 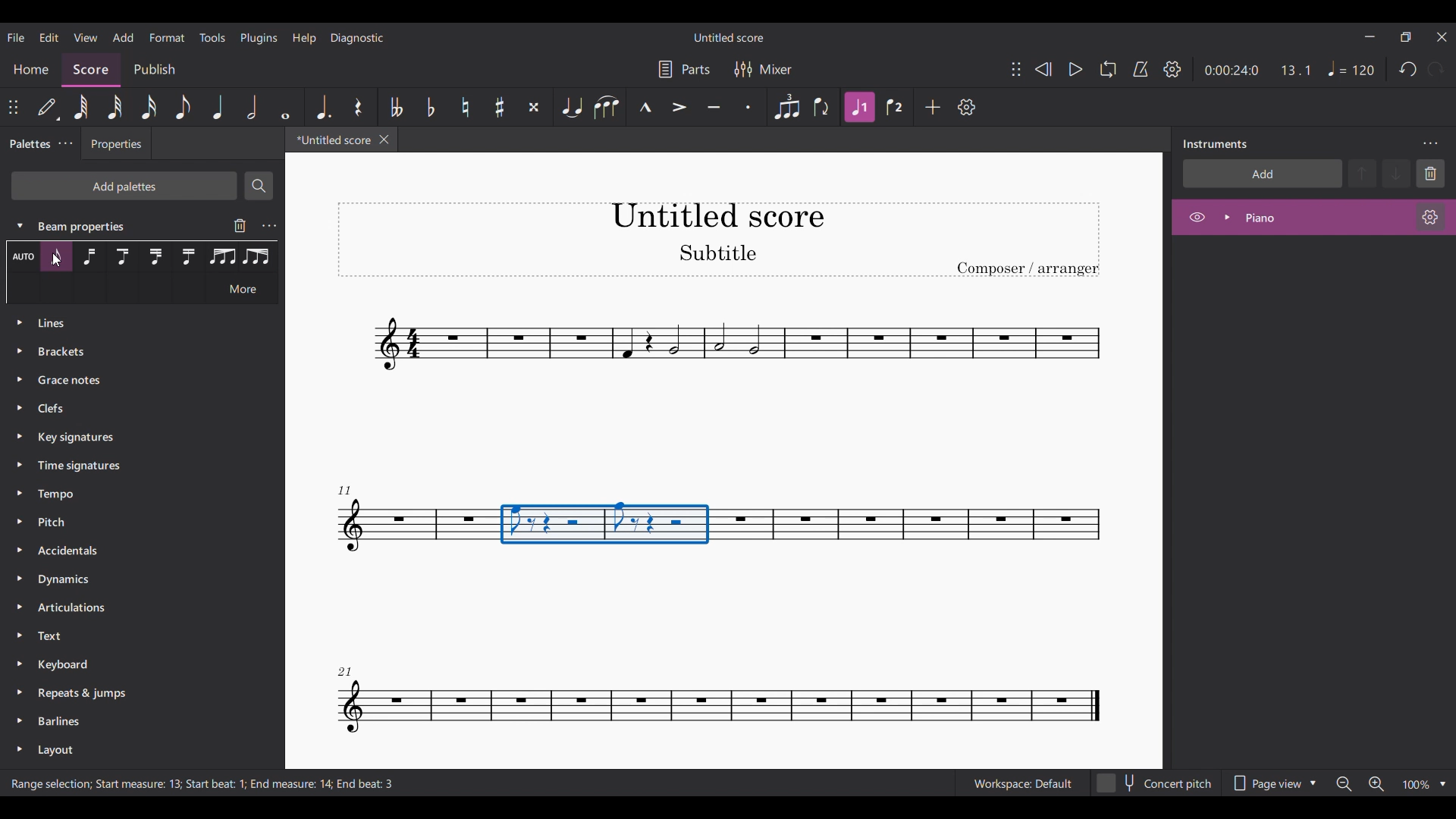 I want to click on Zoom options, so click(x=1443, y=784).